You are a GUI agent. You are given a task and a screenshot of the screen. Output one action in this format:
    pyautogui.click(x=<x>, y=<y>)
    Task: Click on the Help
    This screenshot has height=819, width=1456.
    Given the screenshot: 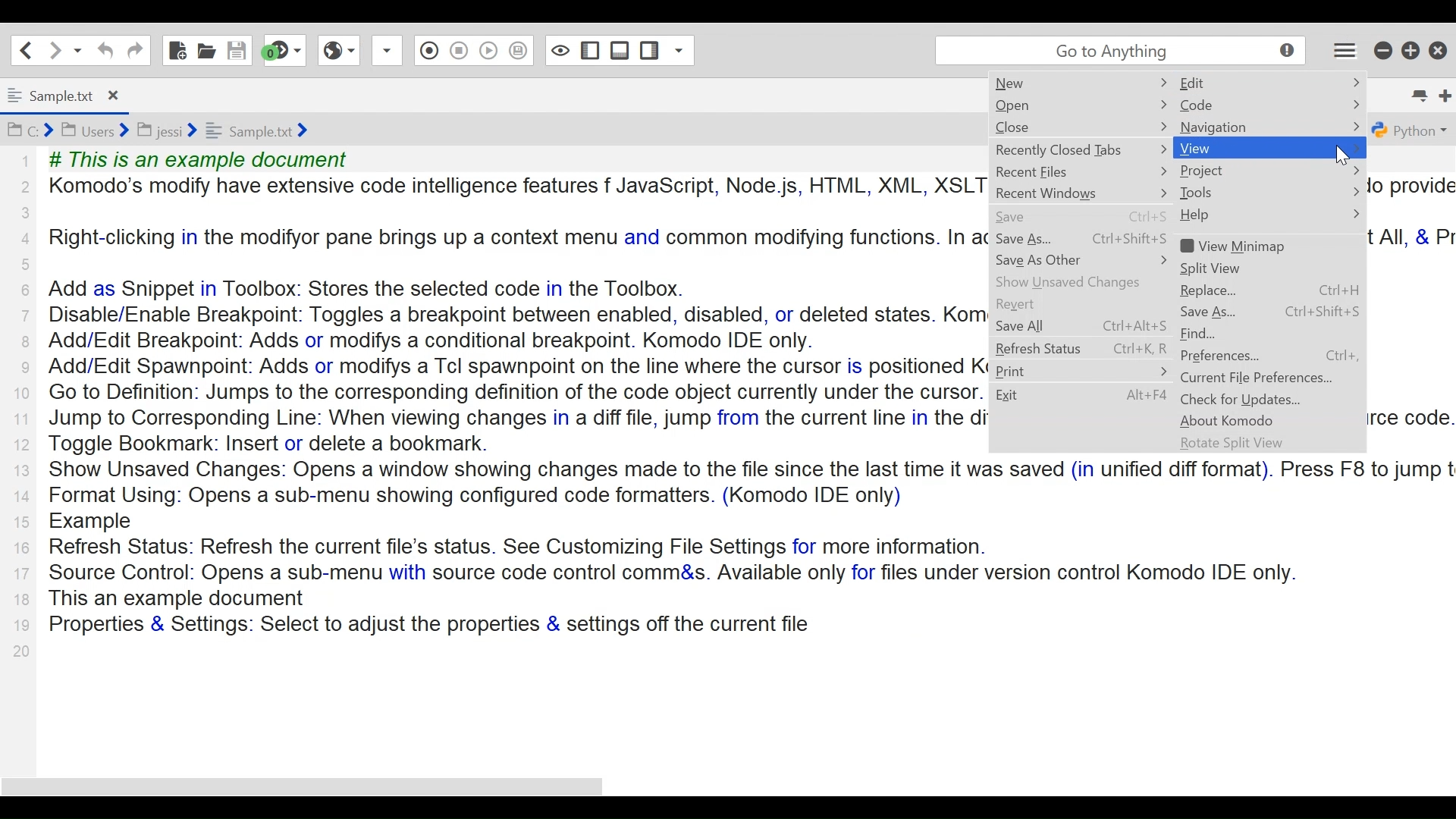 What is the action you would take?
    pyautogui.click(x=1212, y=215)
    